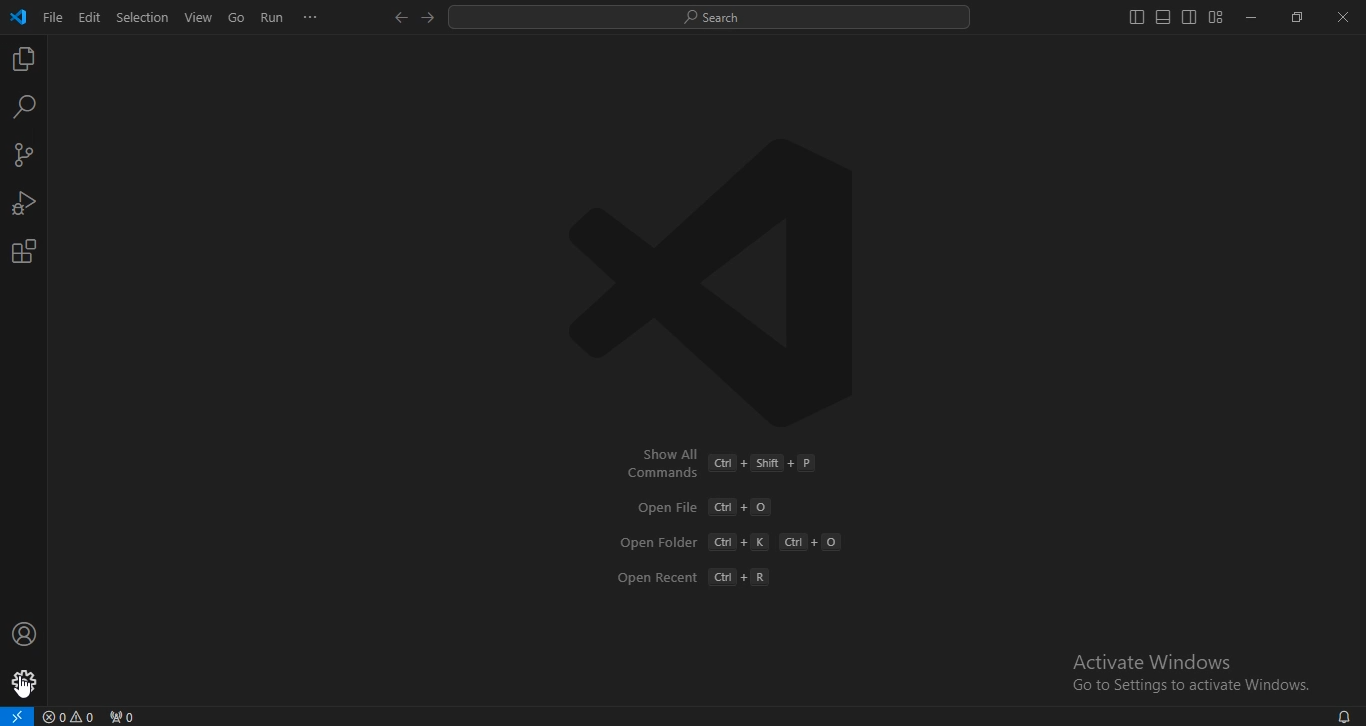 The height and width of the screenshot is (726, 1366). What do you see at coordinates (26, 684) in the screenshot?
I see `manage` at bounding box center [26, 684].